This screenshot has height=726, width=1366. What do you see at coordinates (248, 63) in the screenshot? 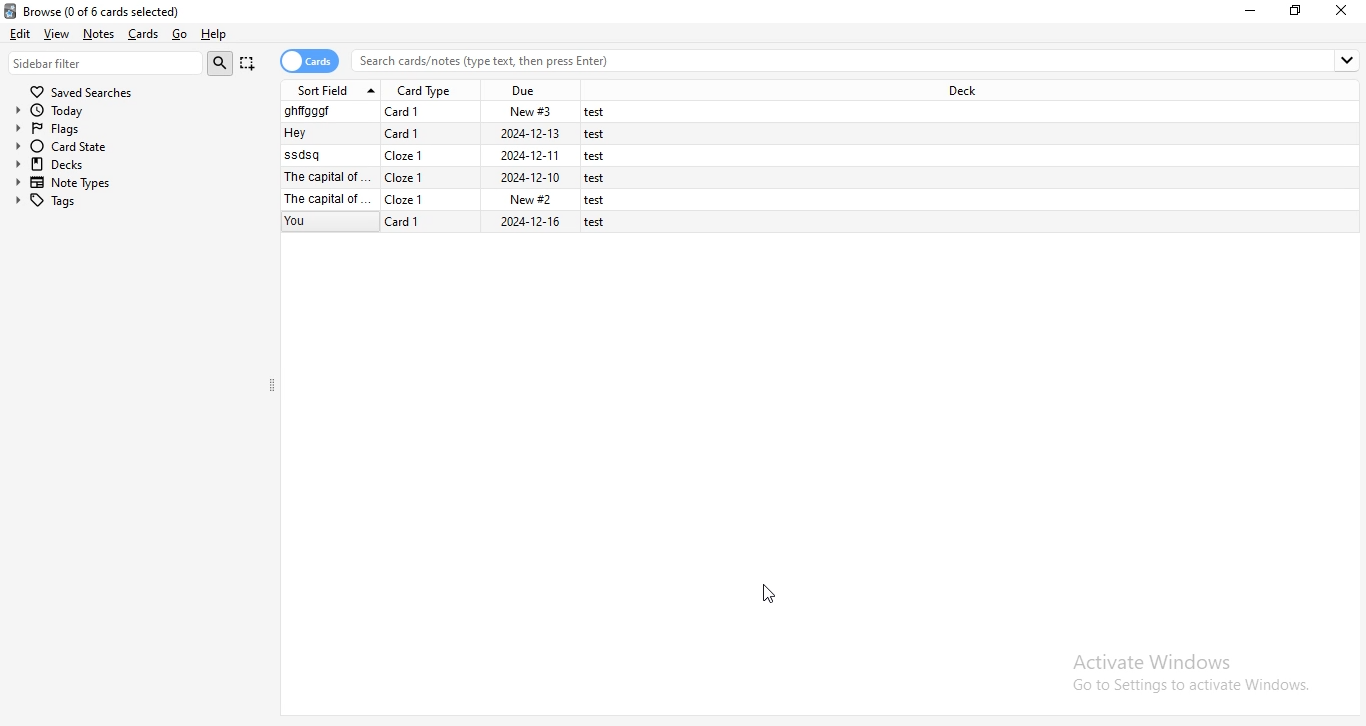
I see `Capture` at bounding box center [248, 63].